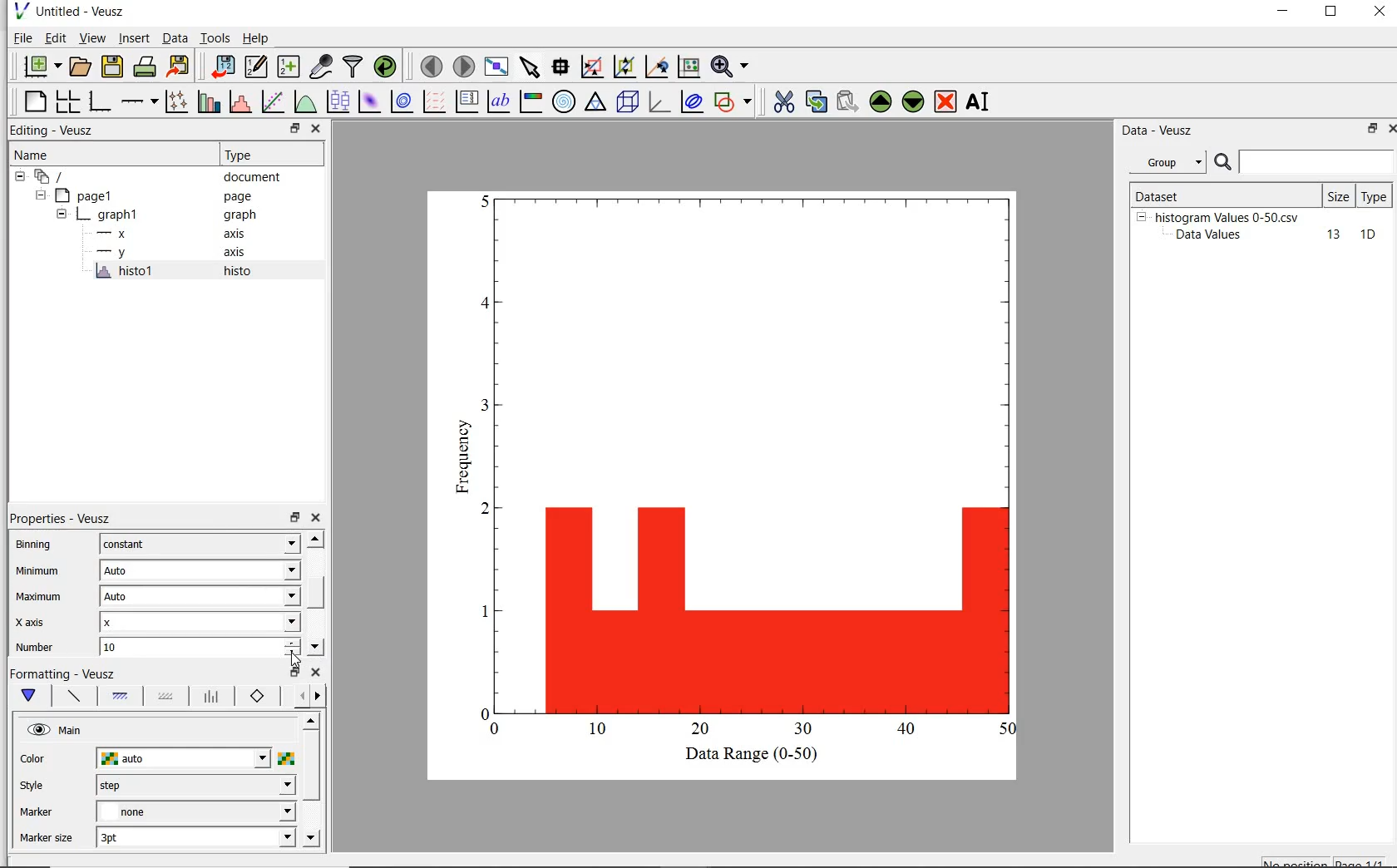 Image resolution: width=1397 pixels, height=868 pixels. I want to click on read data points on the graph, so click(562, 67).